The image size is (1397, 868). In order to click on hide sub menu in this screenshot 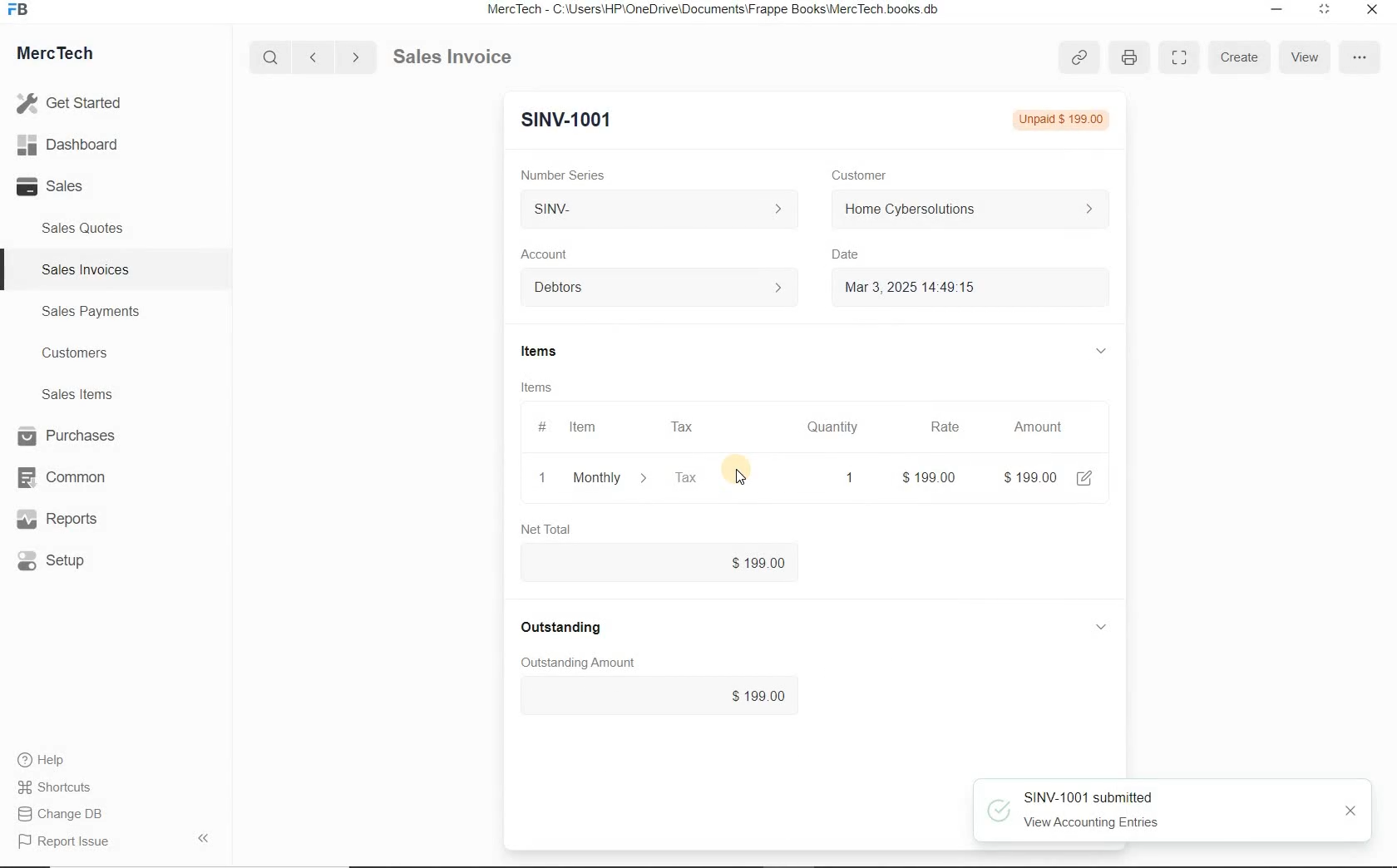, I will do `click(1098, 627)`.